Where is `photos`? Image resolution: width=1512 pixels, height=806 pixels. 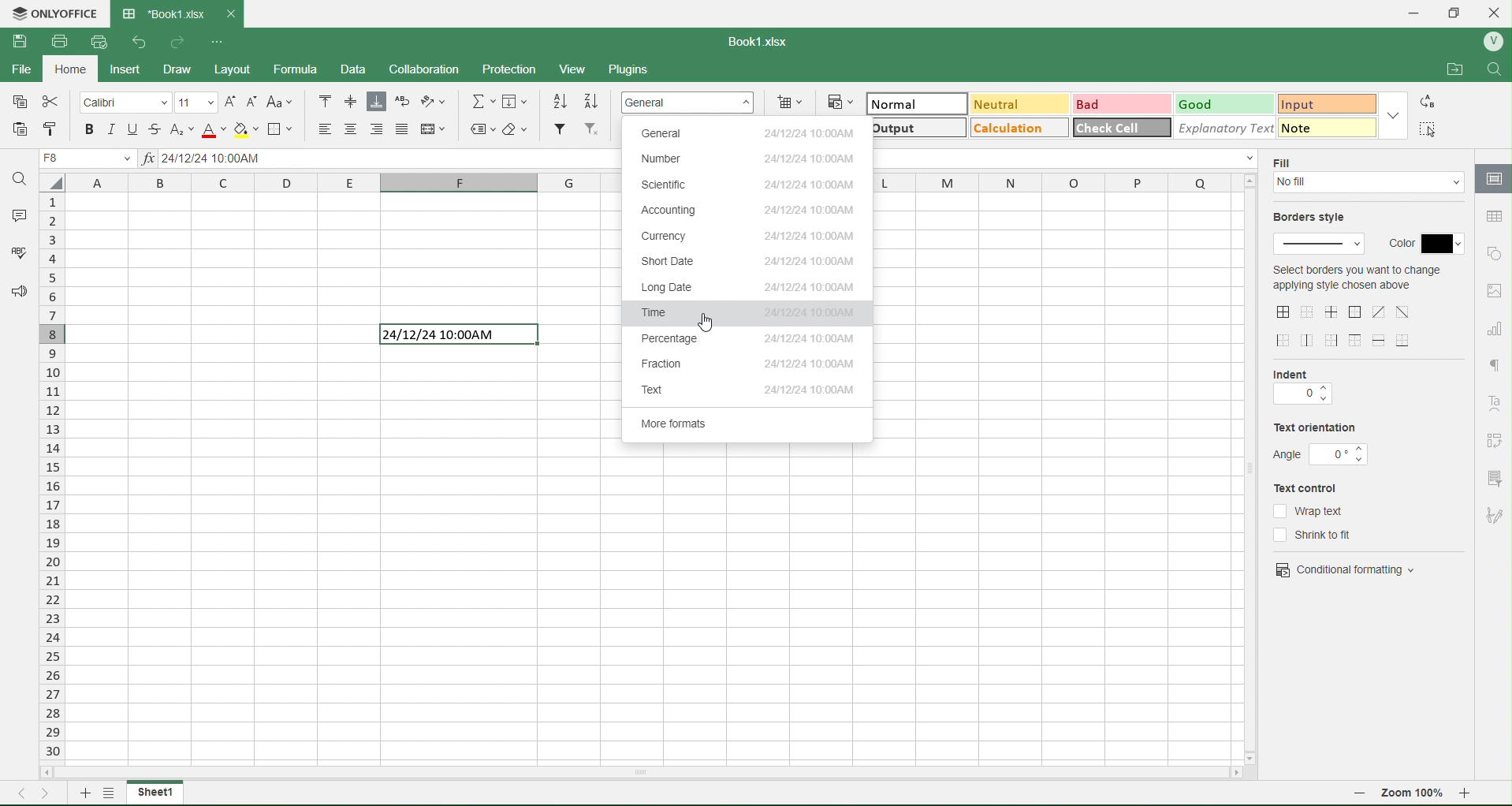
photos is located at coordinates (1495, 291).